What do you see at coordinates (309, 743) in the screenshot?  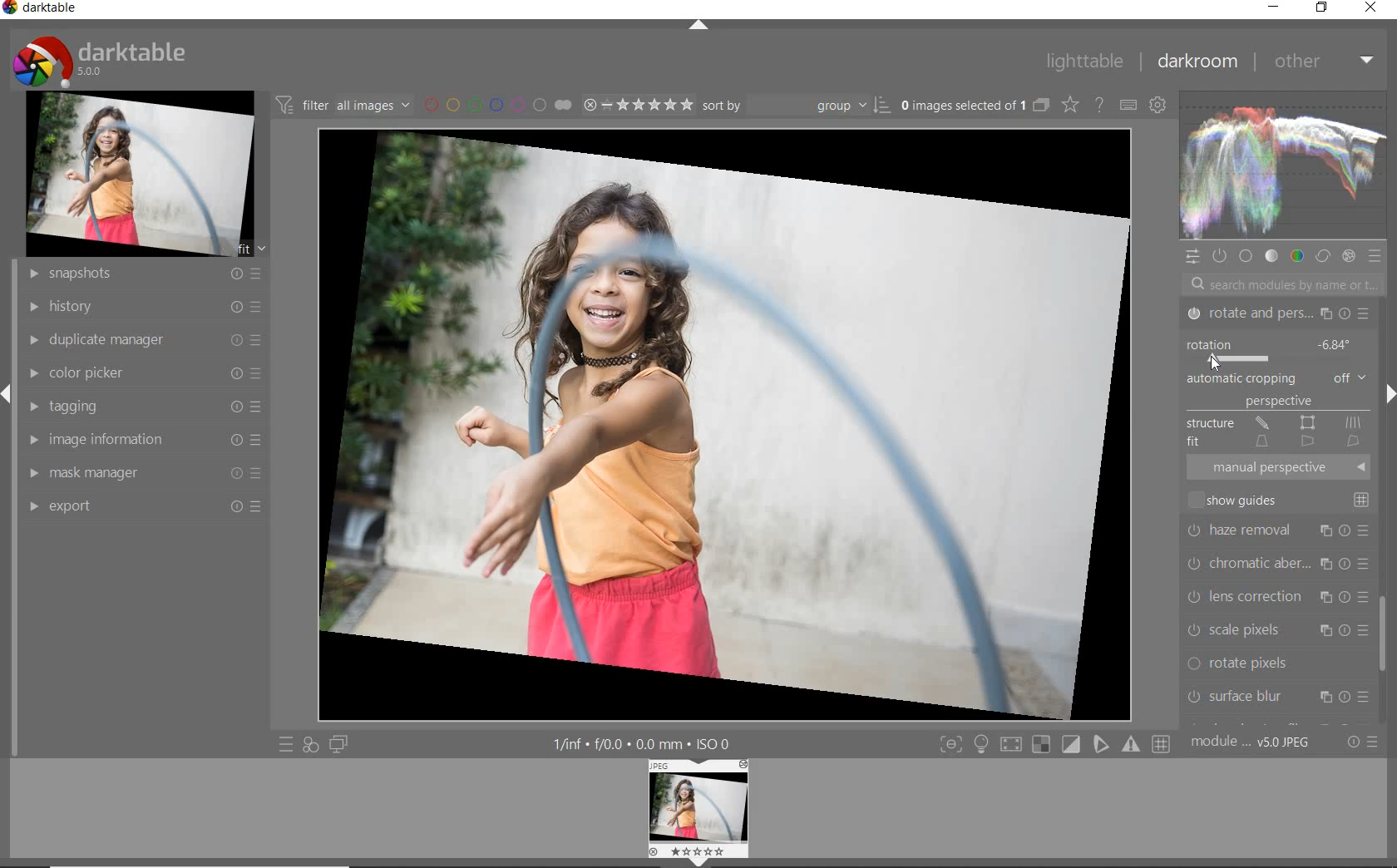 I see `quick access for applying of your style` at bounding box center [309, 743].